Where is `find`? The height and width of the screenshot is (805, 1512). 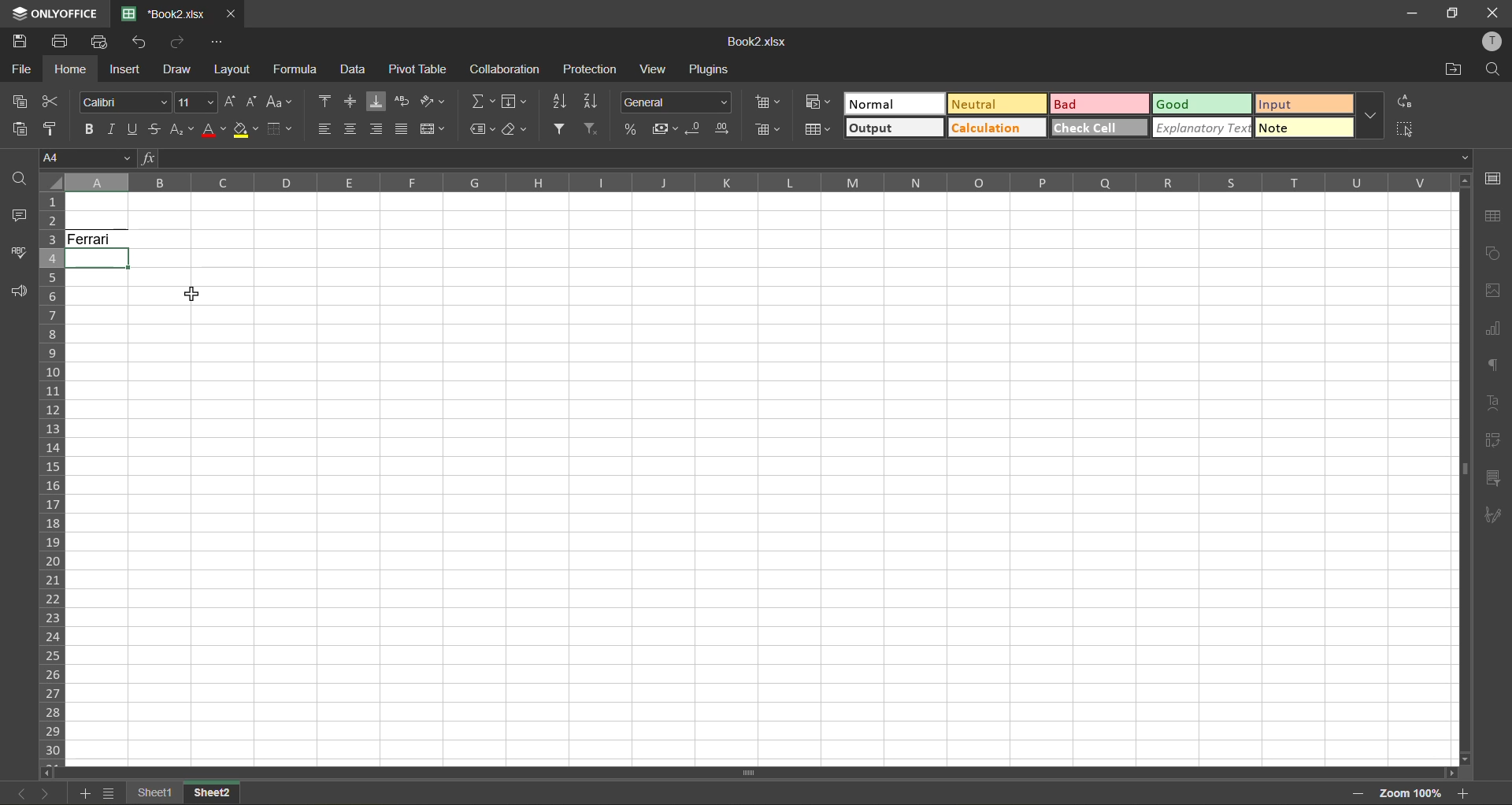 find is located at coordinates (1493, 70).